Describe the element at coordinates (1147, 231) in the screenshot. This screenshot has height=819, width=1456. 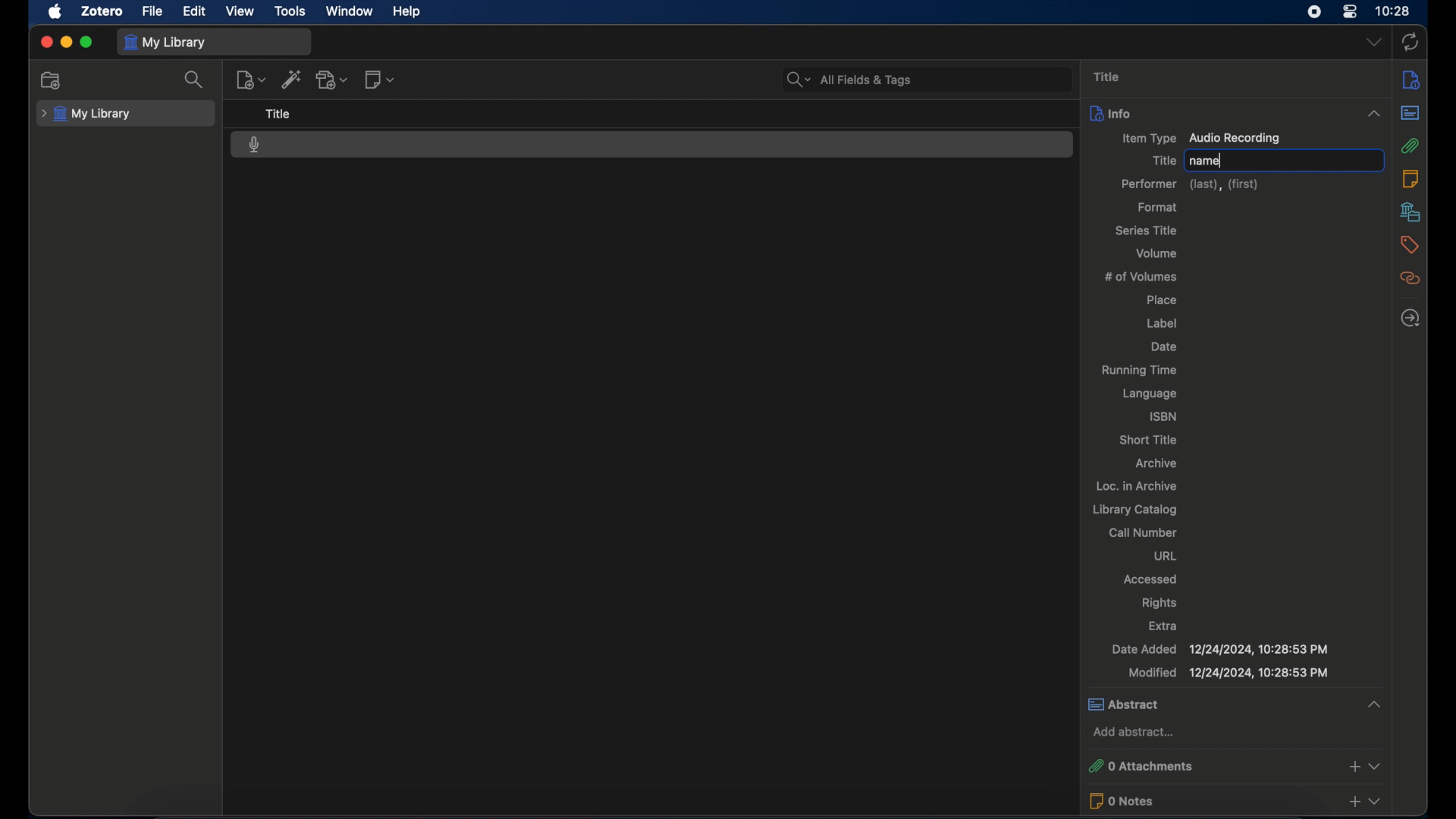
I see `series title` at that location.